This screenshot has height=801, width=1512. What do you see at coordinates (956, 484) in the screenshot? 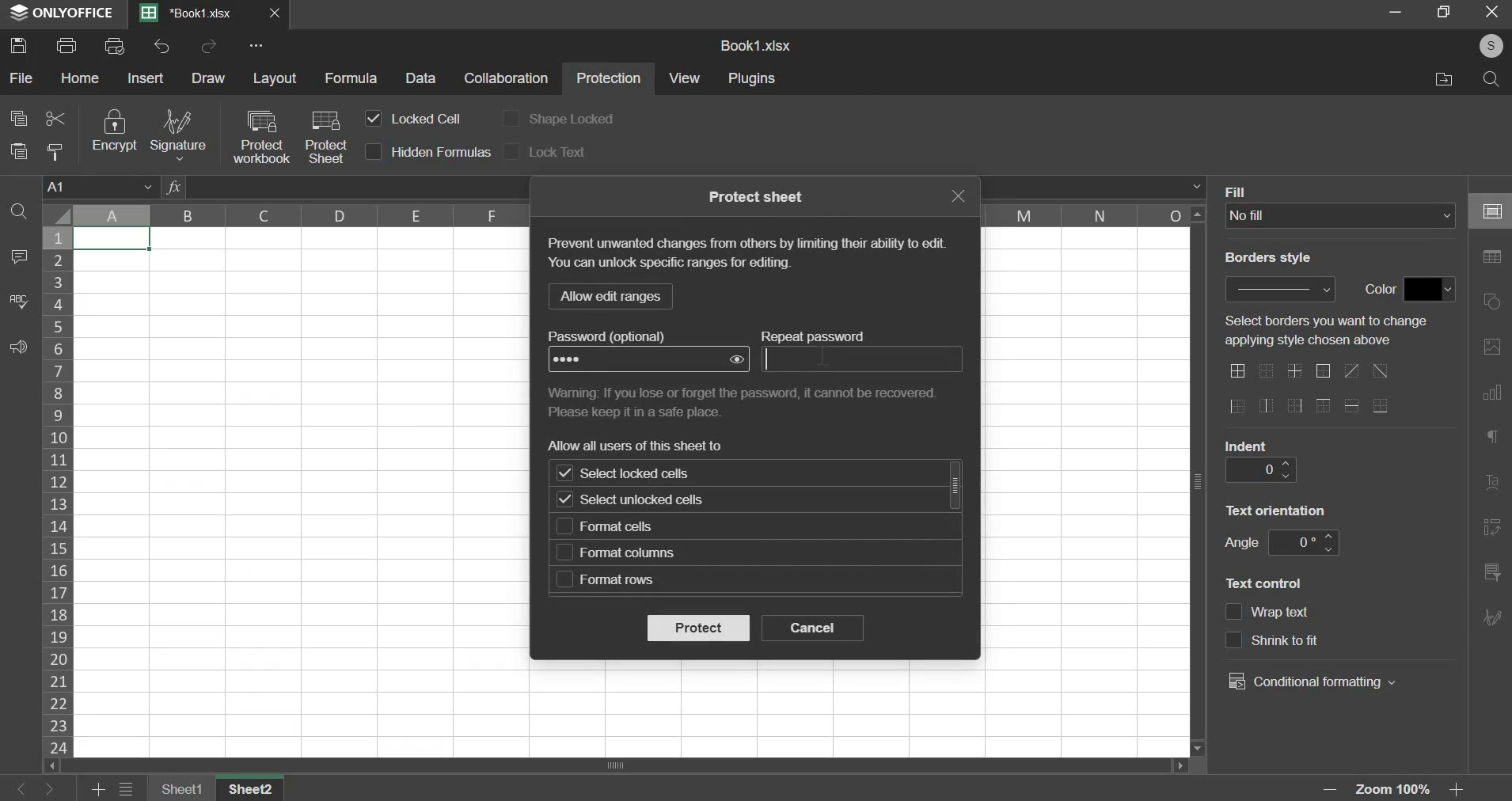
I see `scrollbar` at bounding box center [956, 484].